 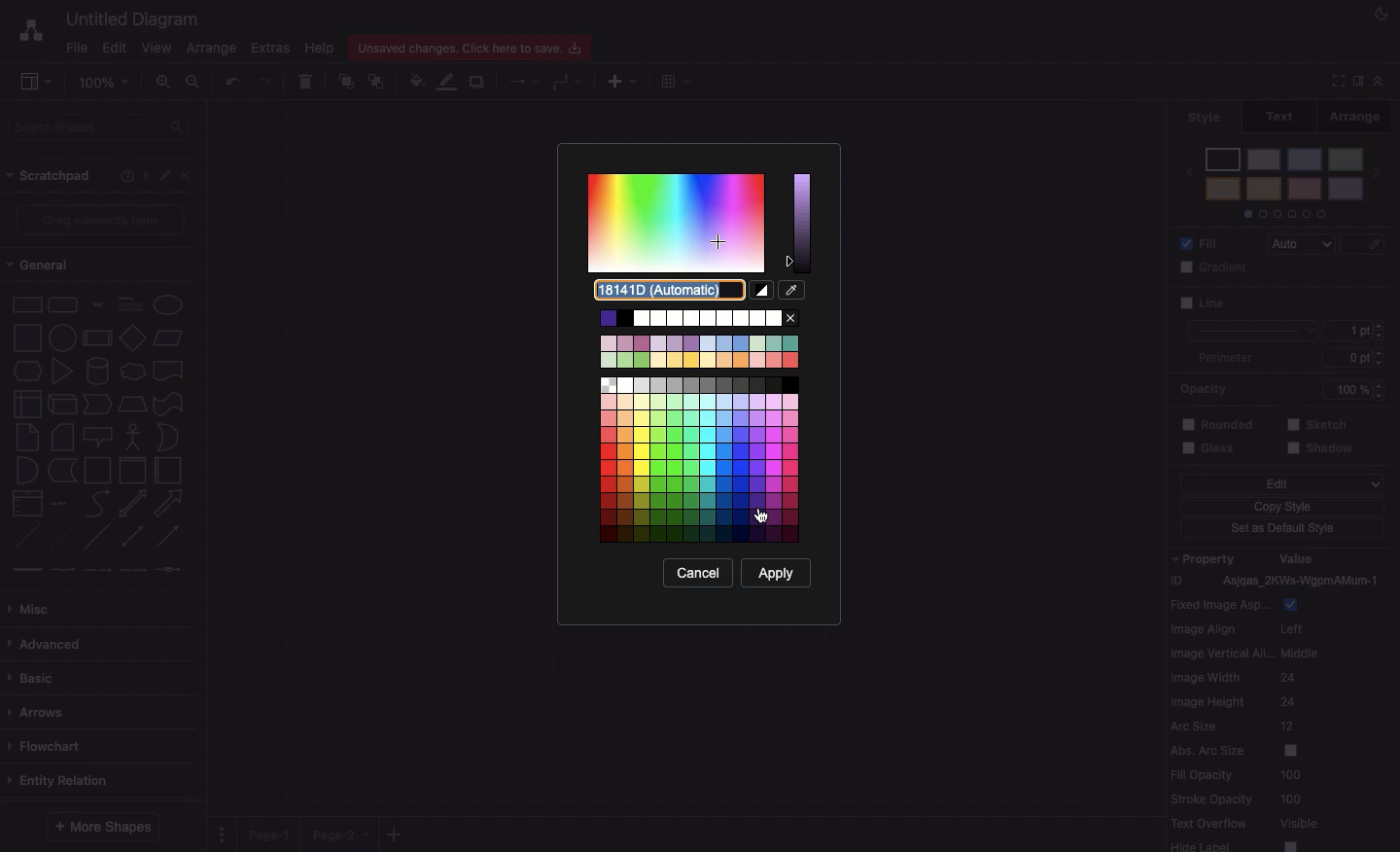 What do you see at coordinates (1218, 422) in the screenshot?
I see `Rounded` at bounding box center [1218, 422].